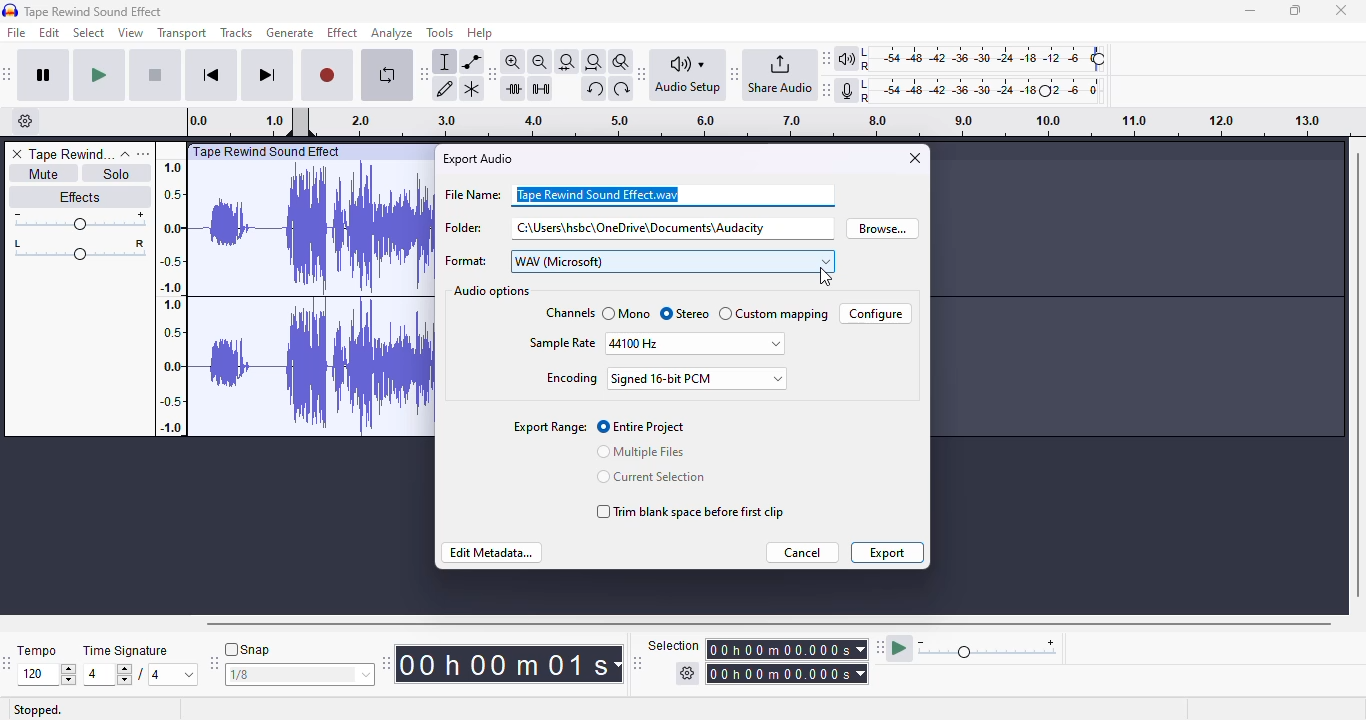 The image size is (1366, 720). I want to click on export range, so click(550, 427).